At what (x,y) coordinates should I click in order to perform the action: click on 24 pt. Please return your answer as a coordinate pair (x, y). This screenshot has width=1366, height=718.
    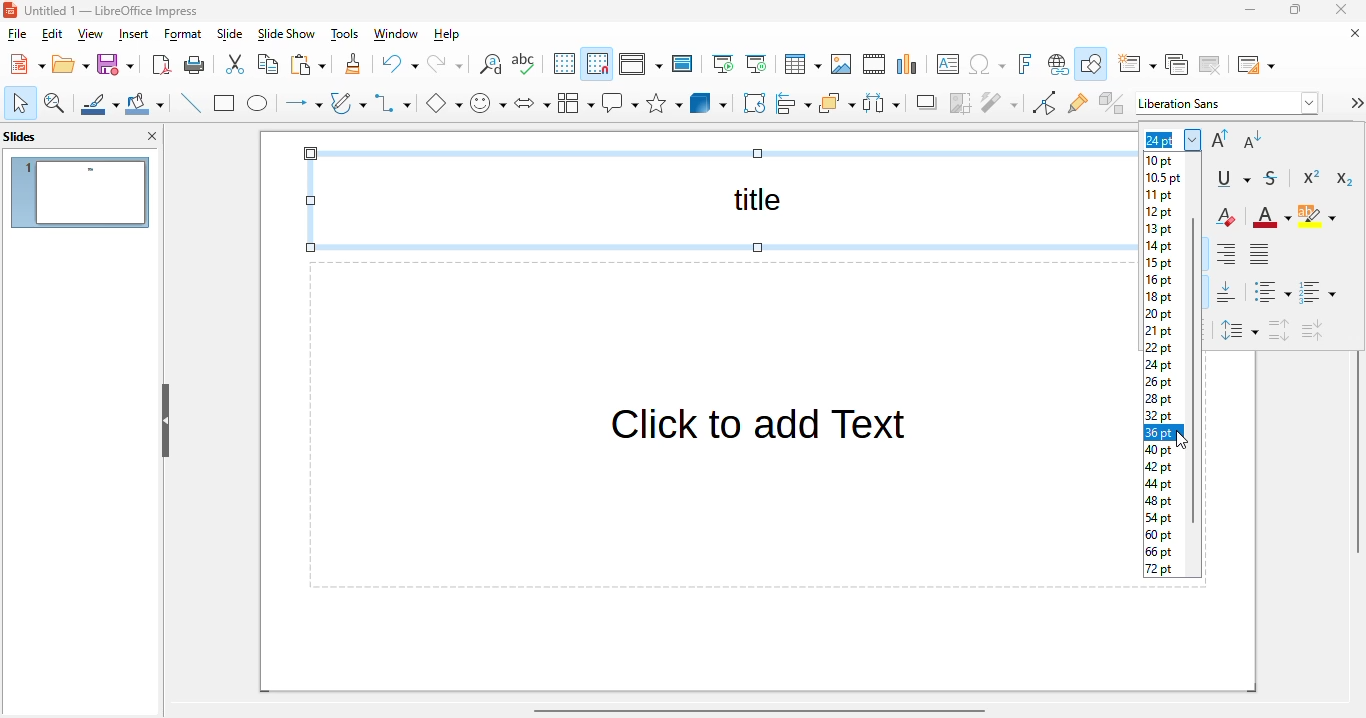
    Looking at the image, I should click on (1170, 139).